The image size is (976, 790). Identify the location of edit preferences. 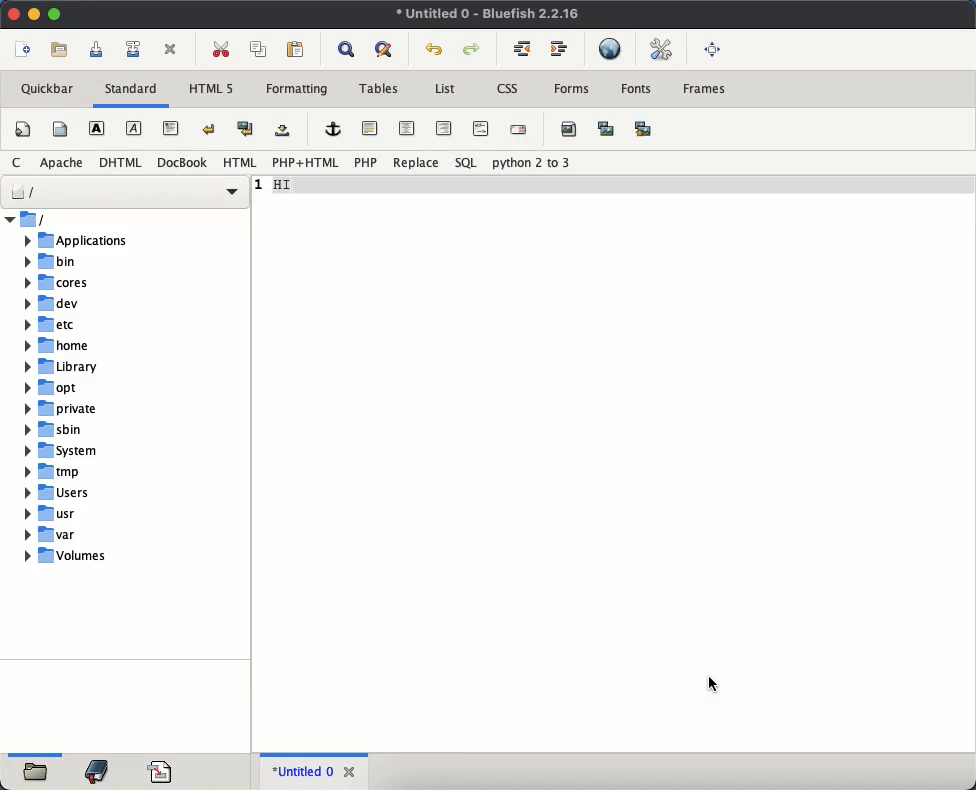
(657, 49).